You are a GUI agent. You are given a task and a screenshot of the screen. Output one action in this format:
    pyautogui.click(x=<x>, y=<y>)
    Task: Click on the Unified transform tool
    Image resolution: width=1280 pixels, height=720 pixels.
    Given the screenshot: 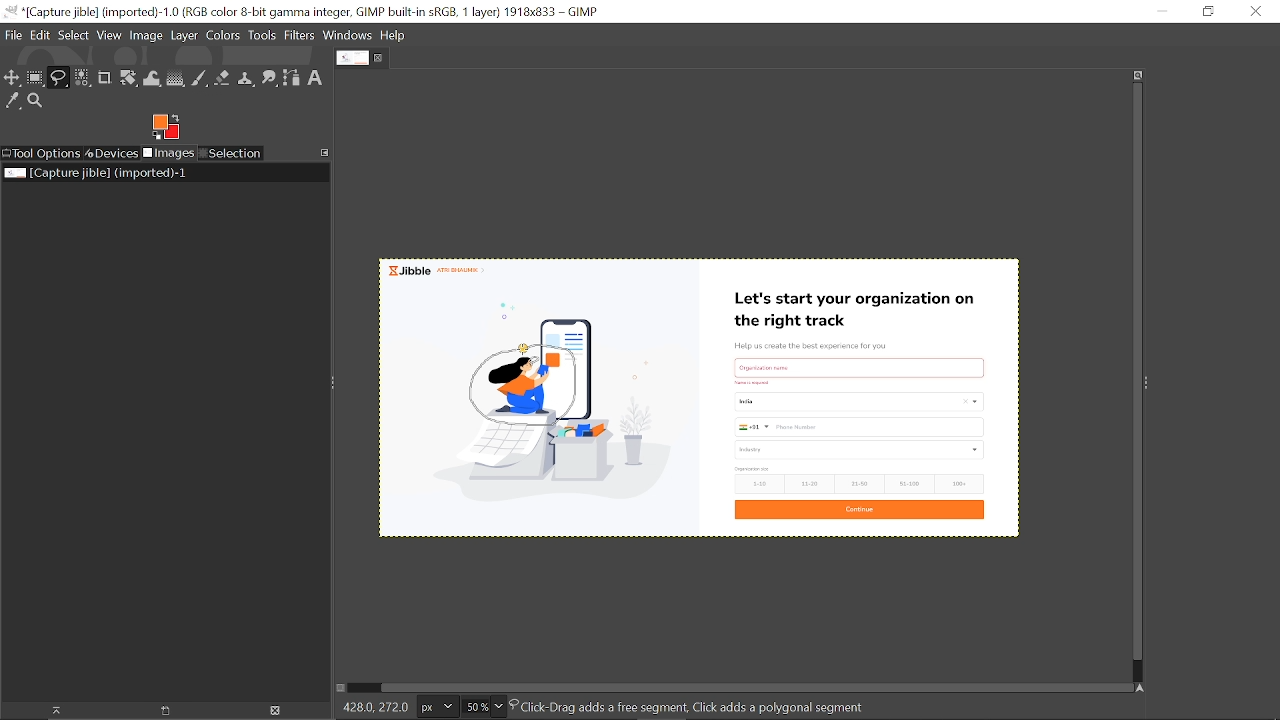 What is the action you would take?
    pyautogui.click(x=128, y=79)
    